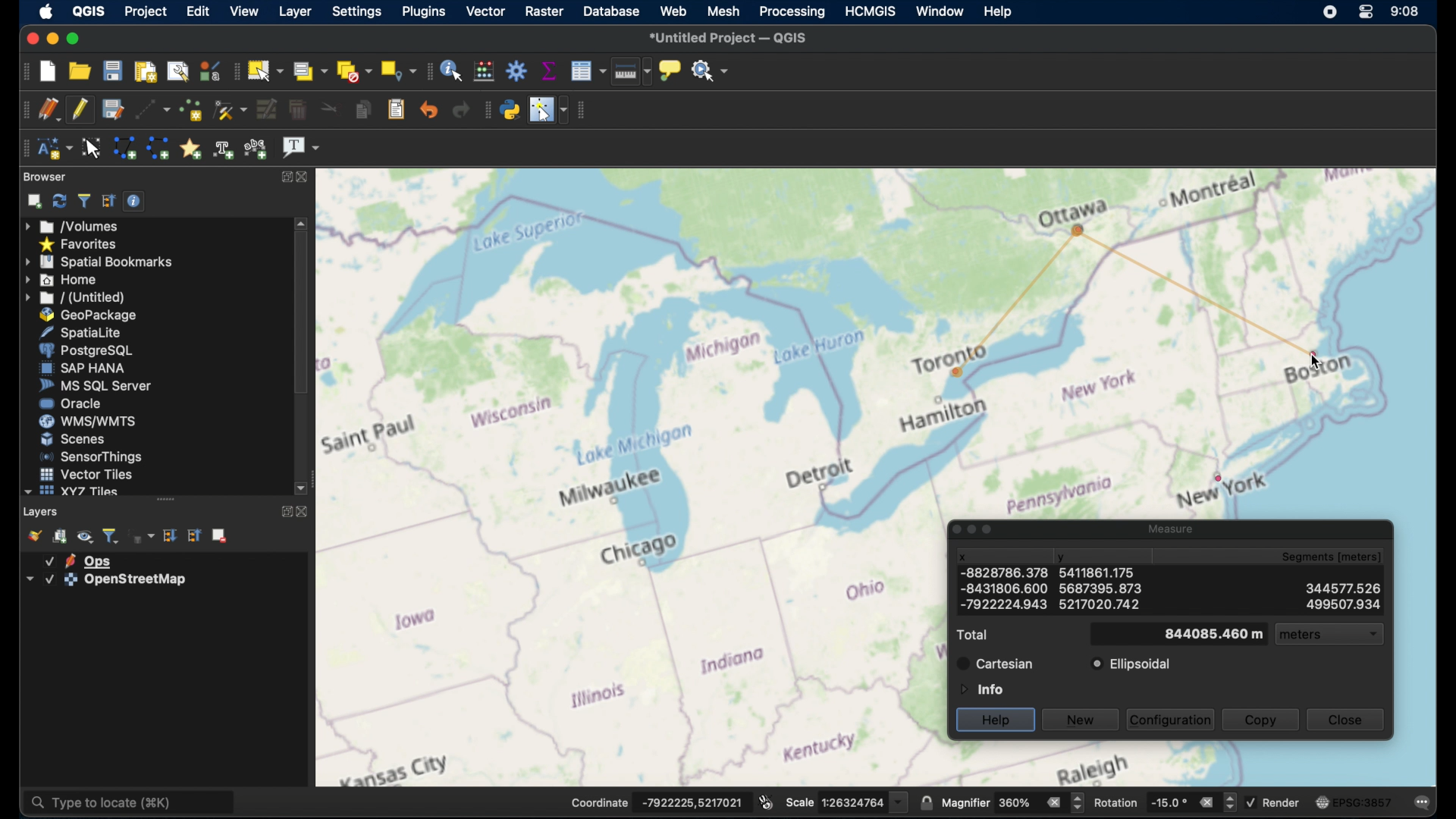  What do you see at coordinates (190, 147) in the screenshot?
I see `create annotation marker` at bounding box center [190, 147].